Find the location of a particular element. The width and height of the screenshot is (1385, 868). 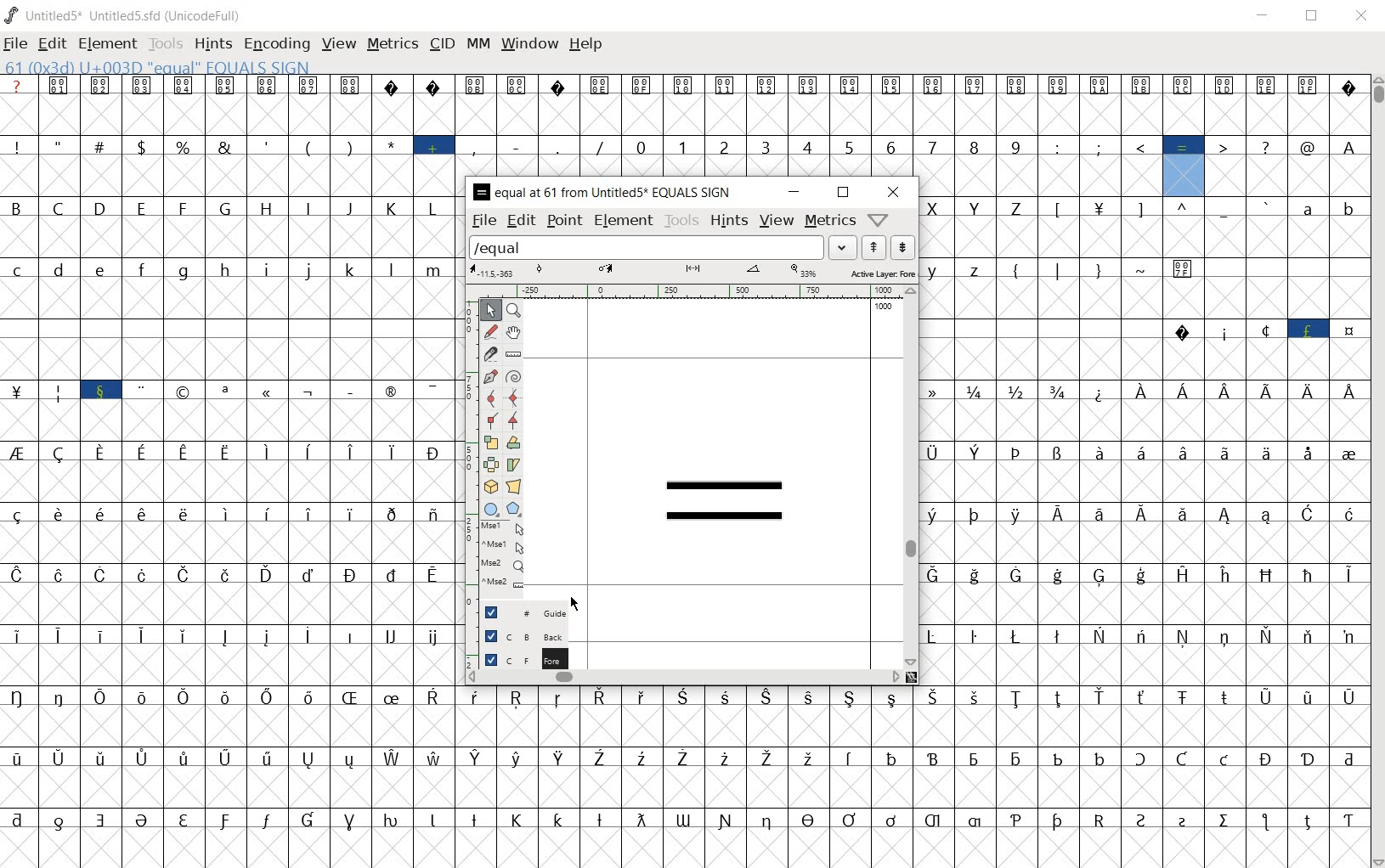

mm is located at coordinates (478, 45).